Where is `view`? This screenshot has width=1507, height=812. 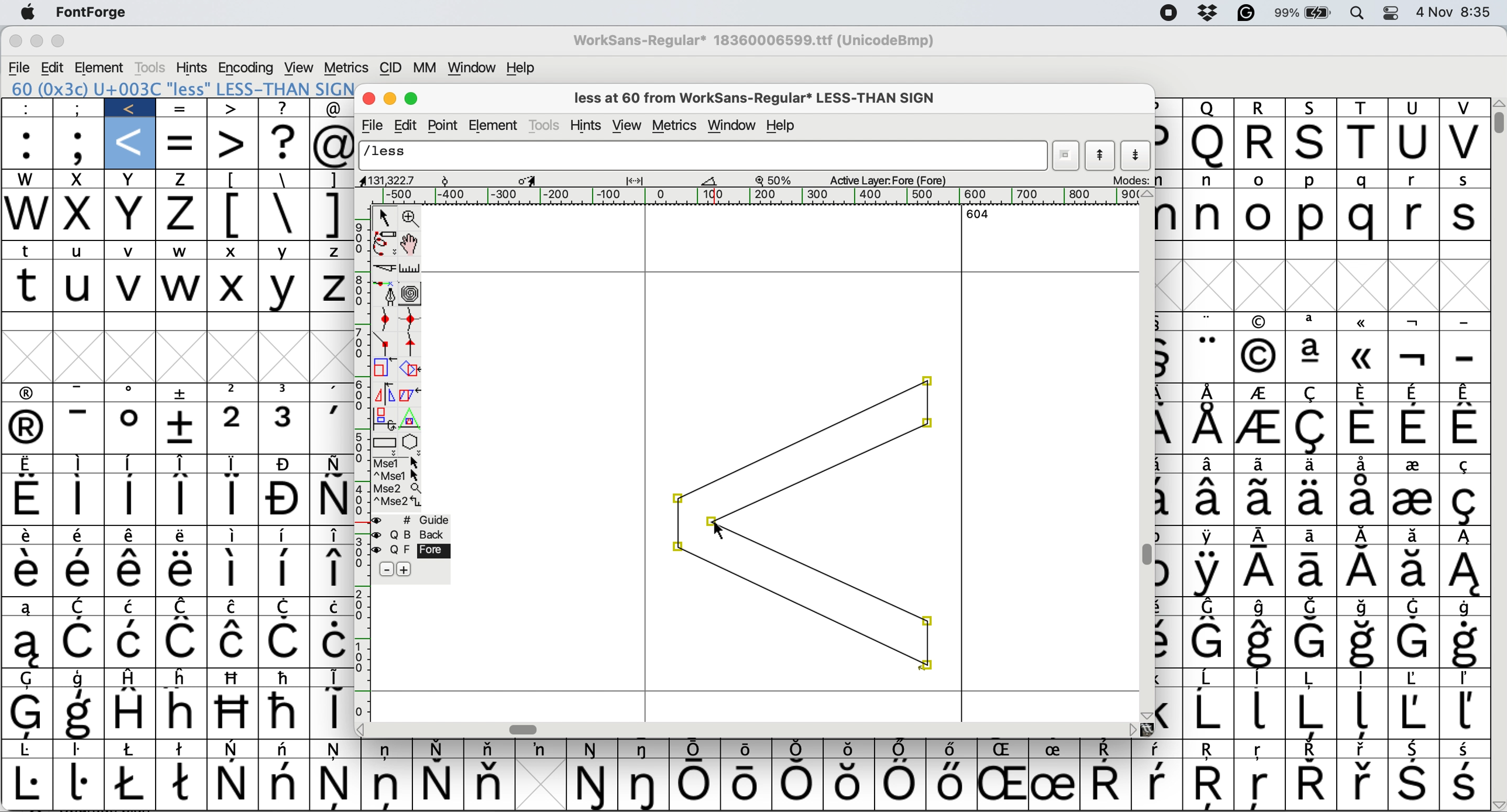 view is located at coordinates (301, 67).